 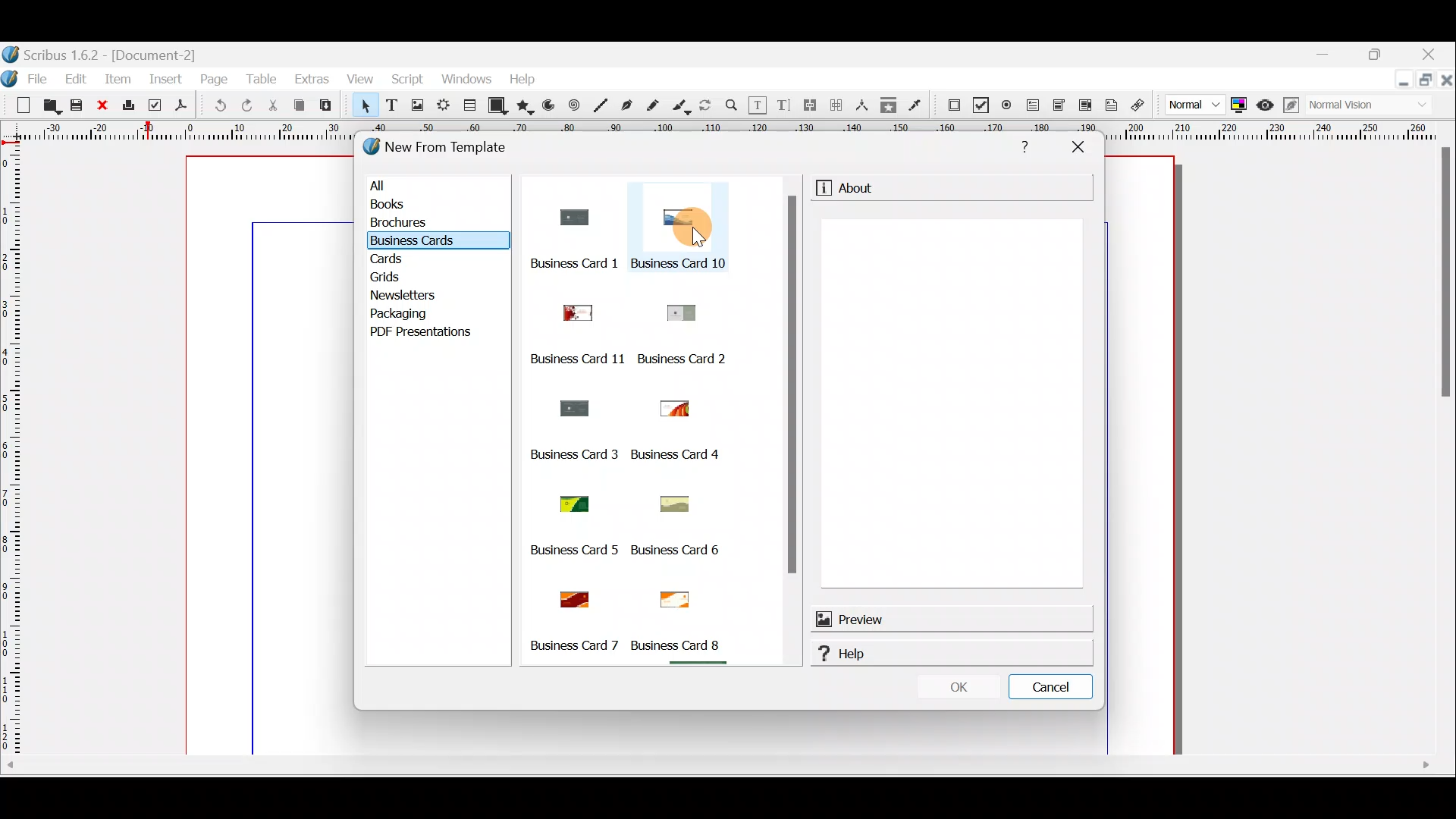 I want to click on Print, so click(x=128, y=107).